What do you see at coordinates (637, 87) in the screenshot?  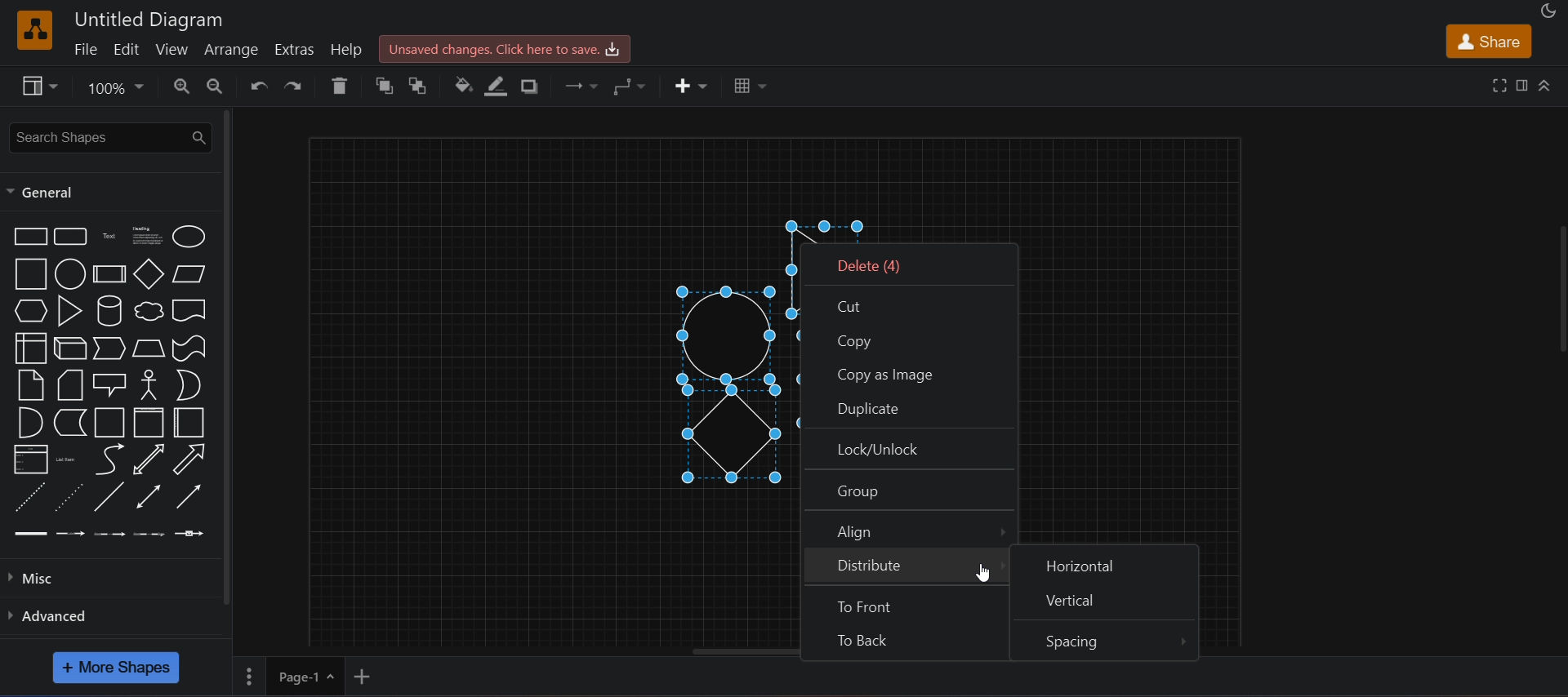 I see `waypoints` at bounding box center [637, 87].